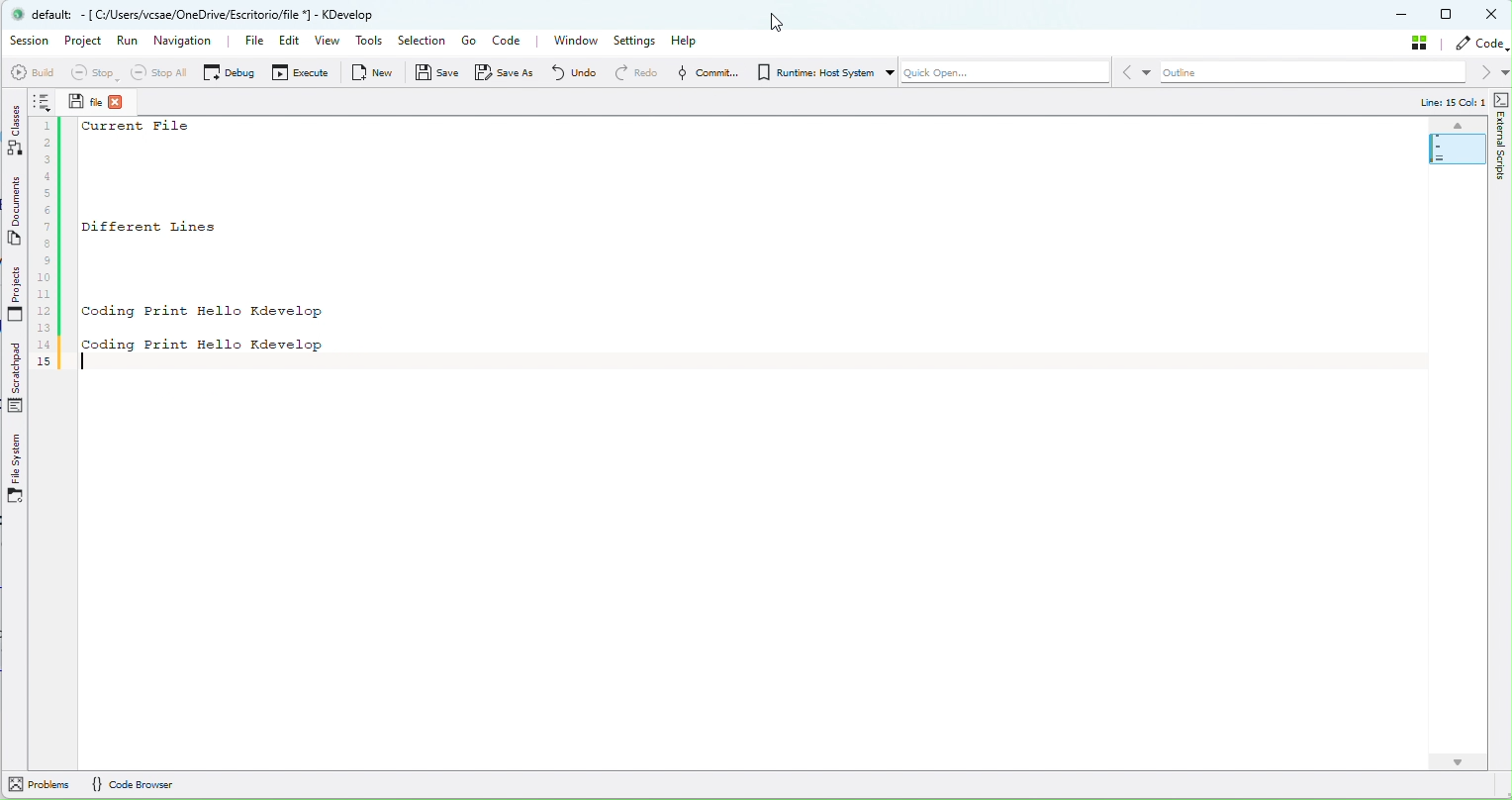 The image size is (1512, 800). I want to click on default: - [ C:/Users/vcsae/OneDrive/Escritorio/file] - KDevelop (Application details), so click(207, 14).